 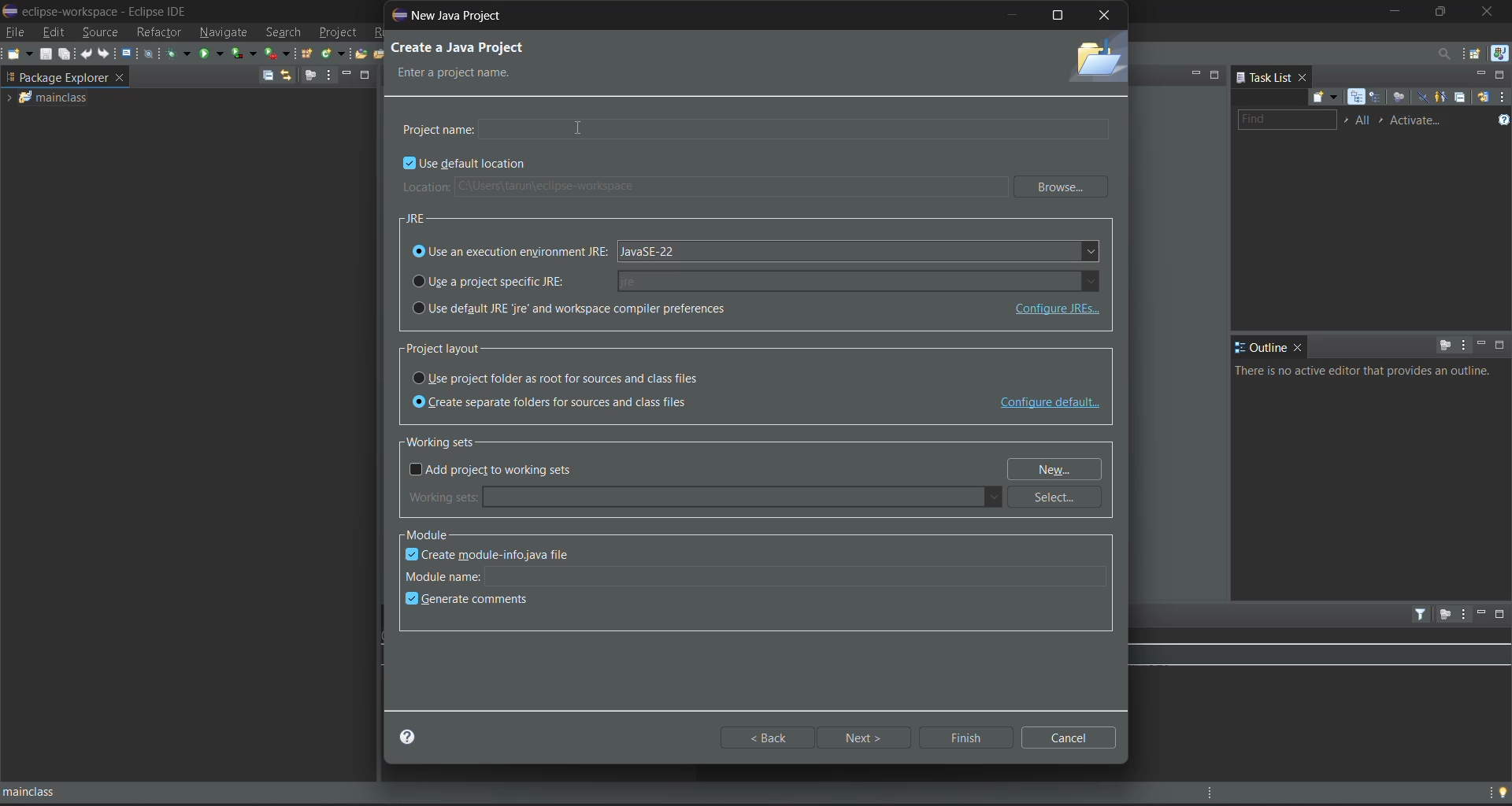 I want to click on outline, so click(x=1261, y=348).